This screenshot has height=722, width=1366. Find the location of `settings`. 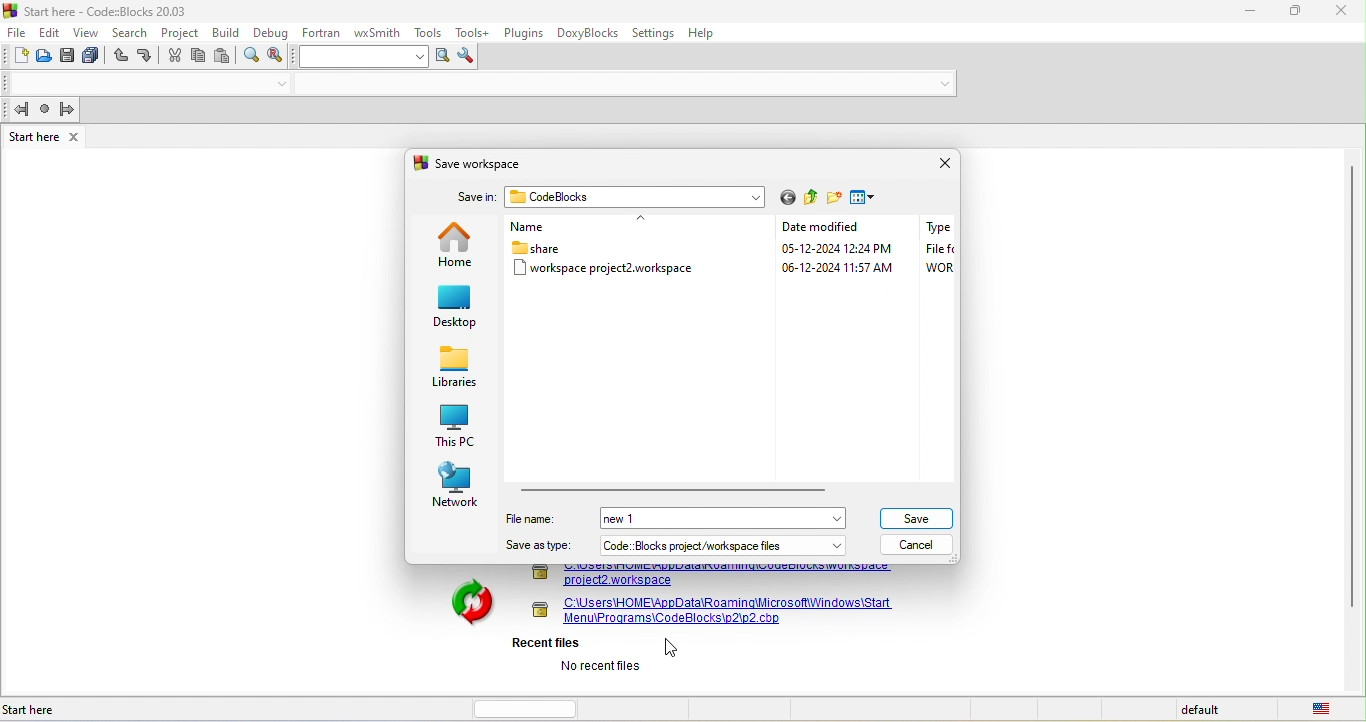

settings is located at coordinates (656, 33).